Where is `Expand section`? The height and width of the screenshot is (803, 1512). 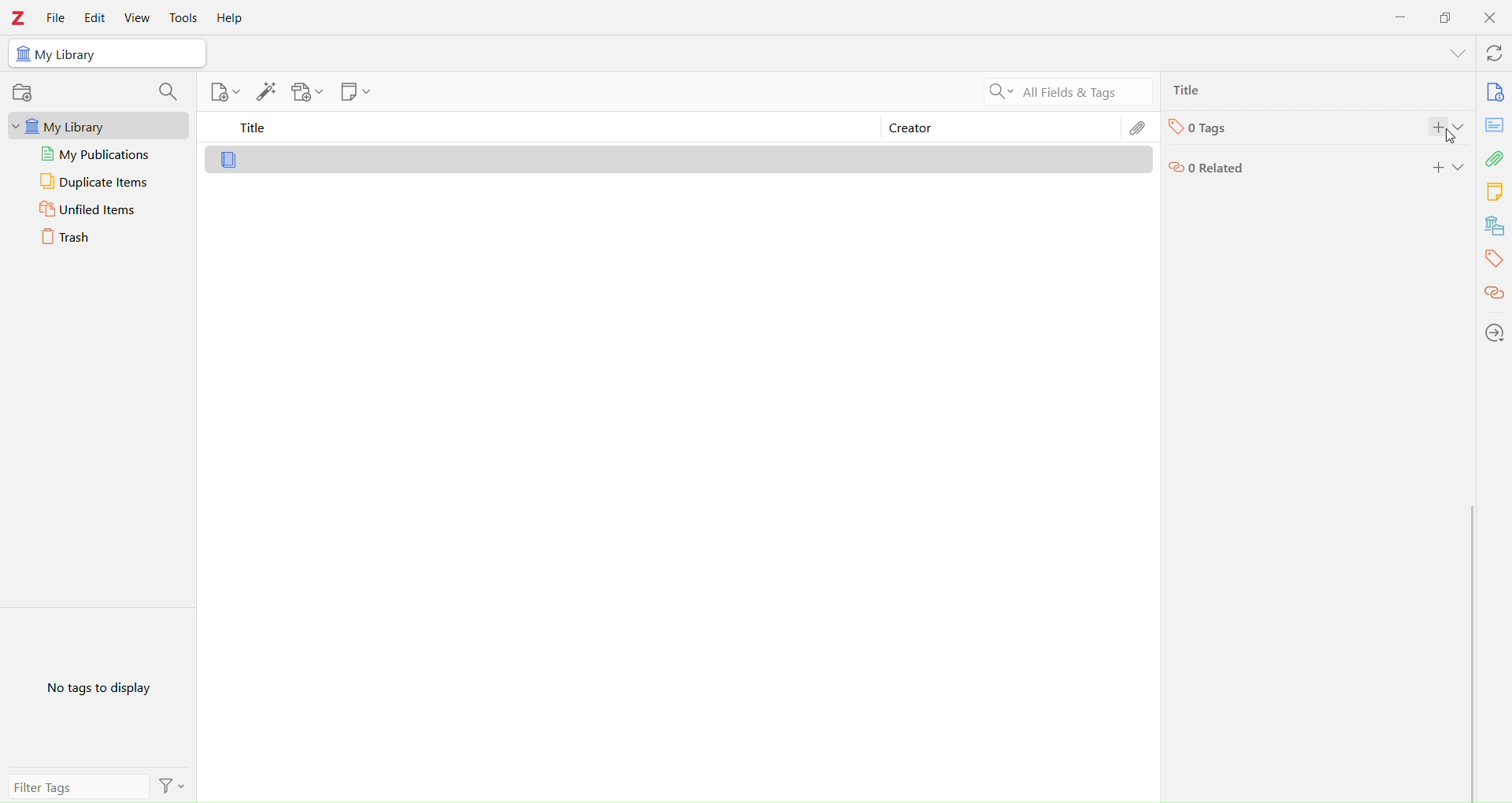 Expand section is located at coordinates (1462, 132).